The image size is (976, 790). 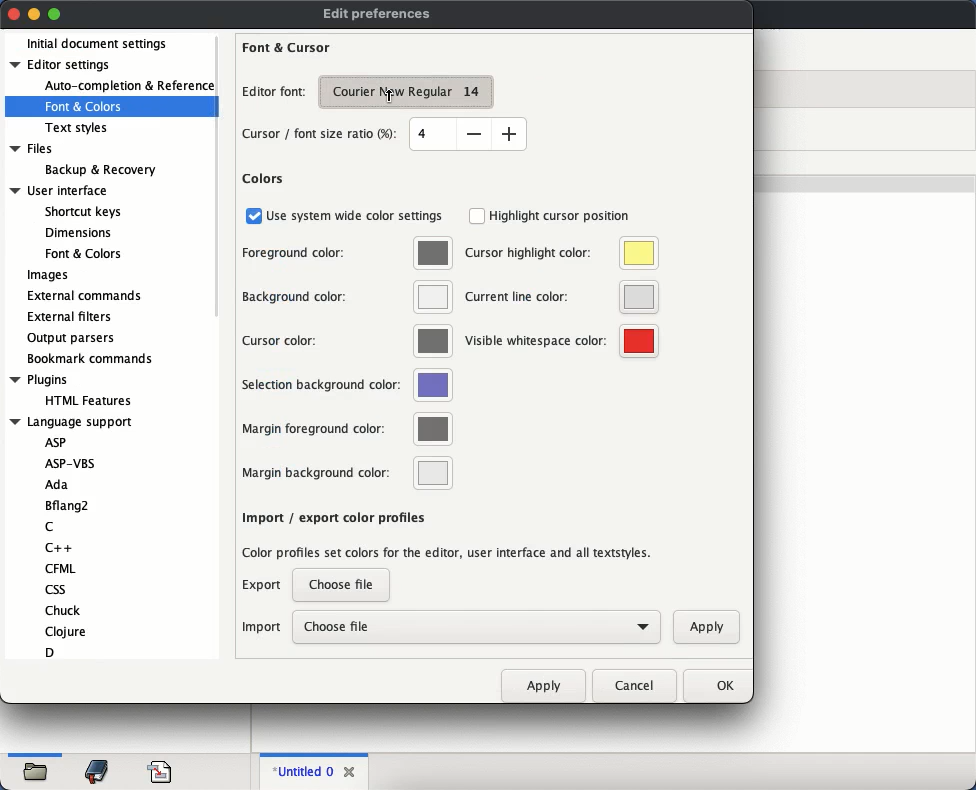 What do you see at coordinates (634, 686) in the screenshot?
I see `cancel` at bounding box center [634, 686].